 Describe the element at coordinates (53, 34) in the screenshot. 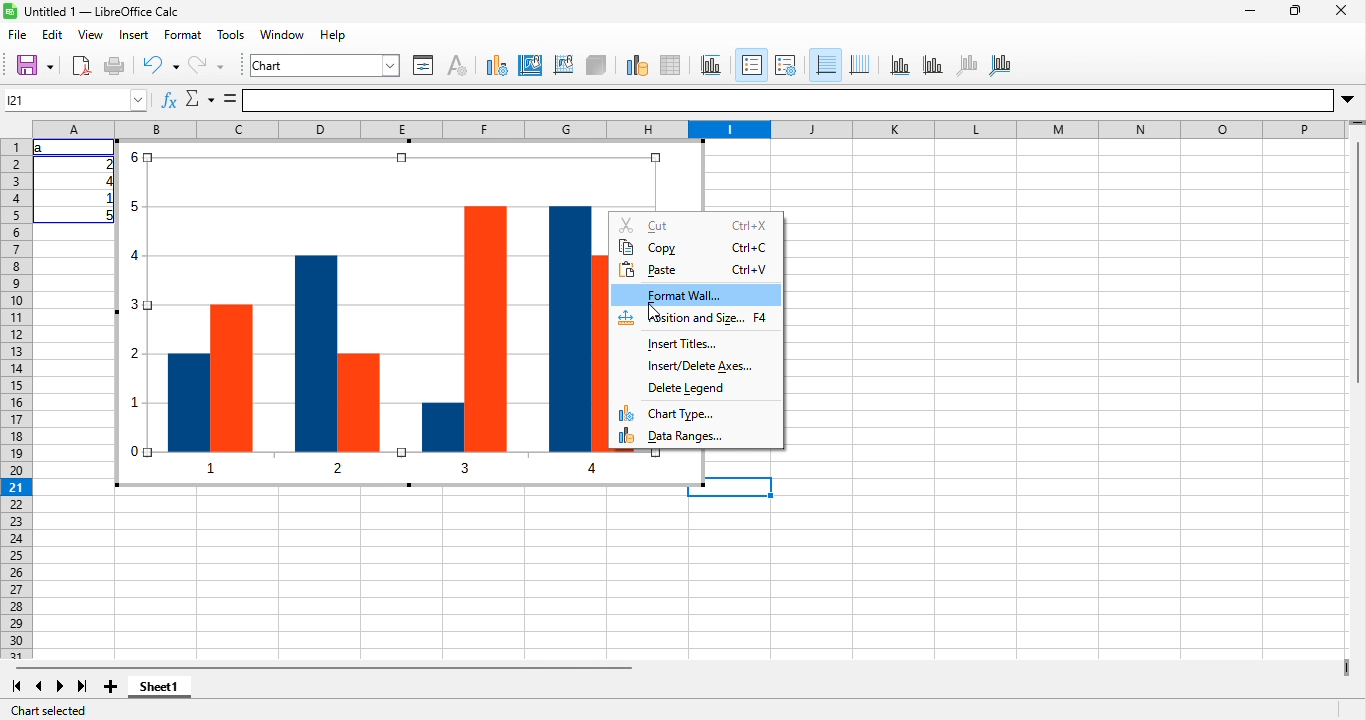

I see `edit` at that location.